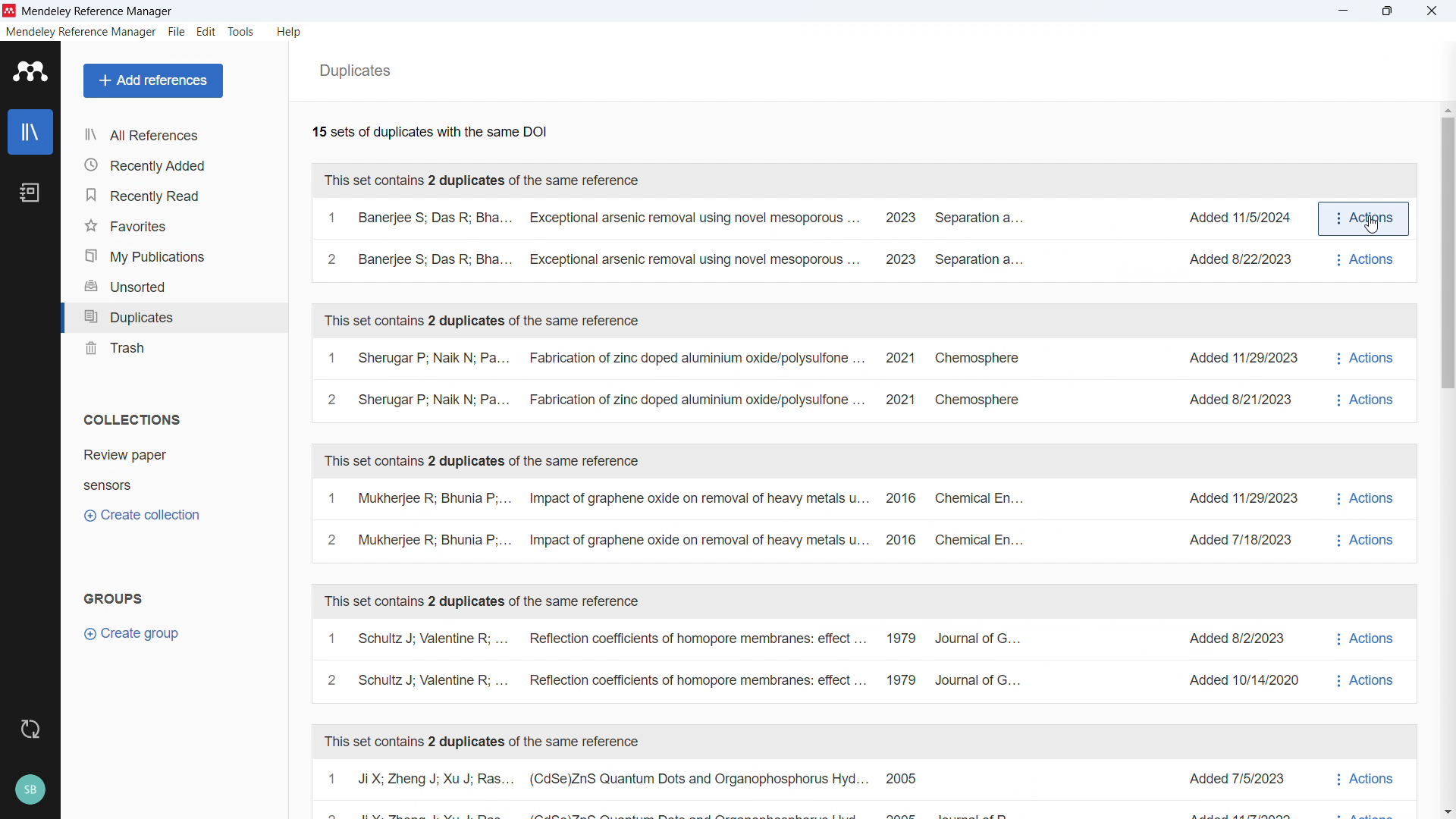 This screenshot has height=819, width=1456. What do you see at coordinates (635, 780) in the screenshot?
I see `1 JiX; Zheng J; Xu J; Ras... (CdSe)ZnS Quantum Dots and Organophosphorus Hyd... 2005` at bounding box center [635, 780].